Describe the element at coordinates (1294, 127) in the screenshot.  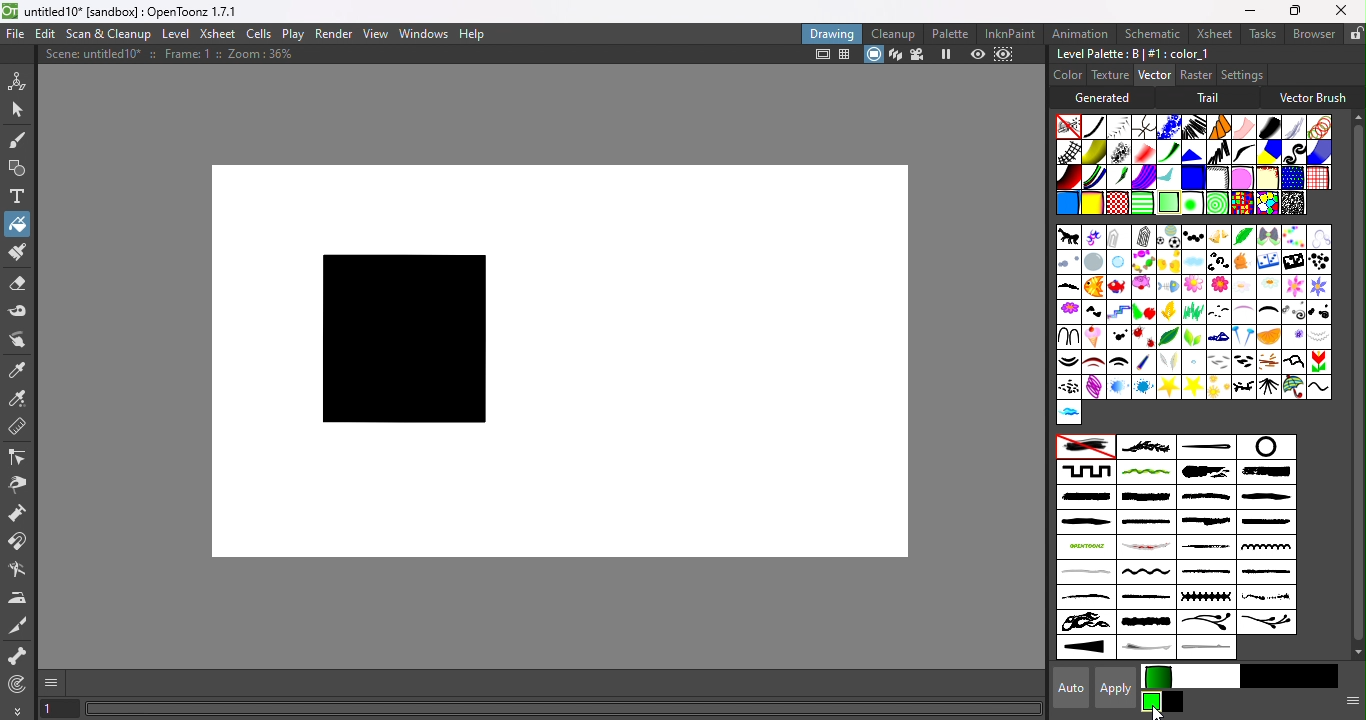
I see `Fuzz` at that location.